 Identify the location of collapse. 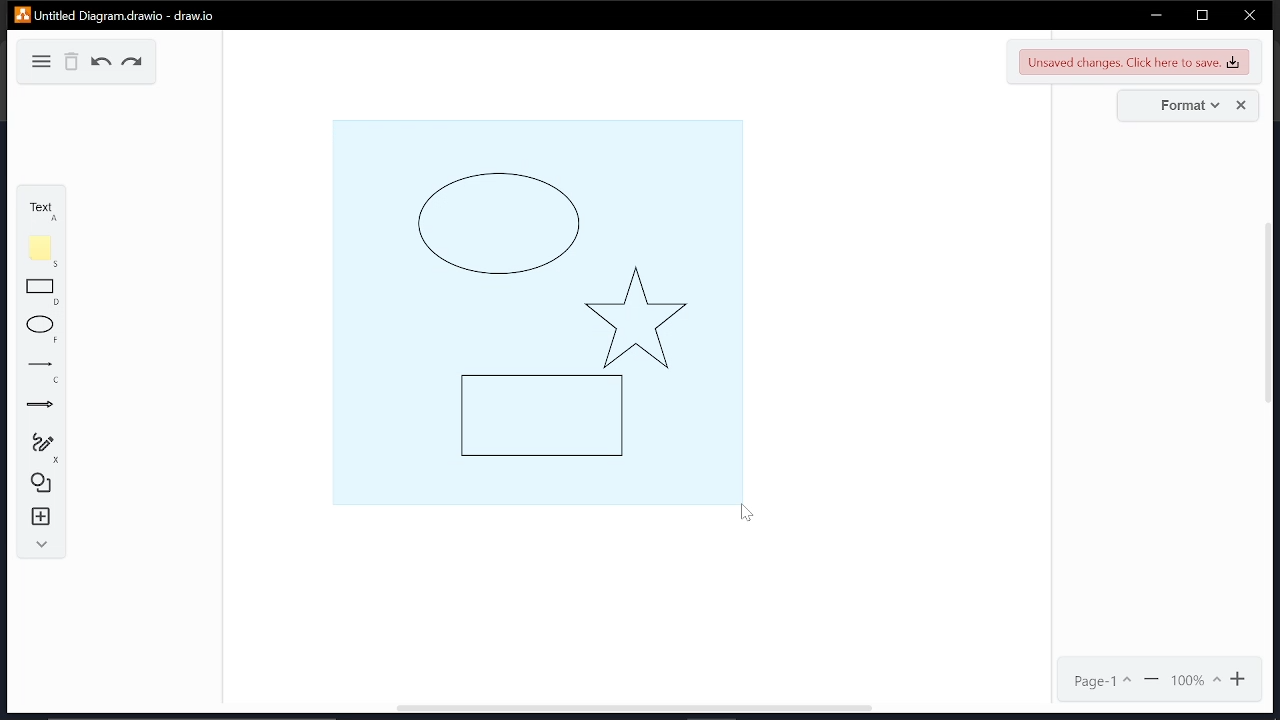
(39, 545).